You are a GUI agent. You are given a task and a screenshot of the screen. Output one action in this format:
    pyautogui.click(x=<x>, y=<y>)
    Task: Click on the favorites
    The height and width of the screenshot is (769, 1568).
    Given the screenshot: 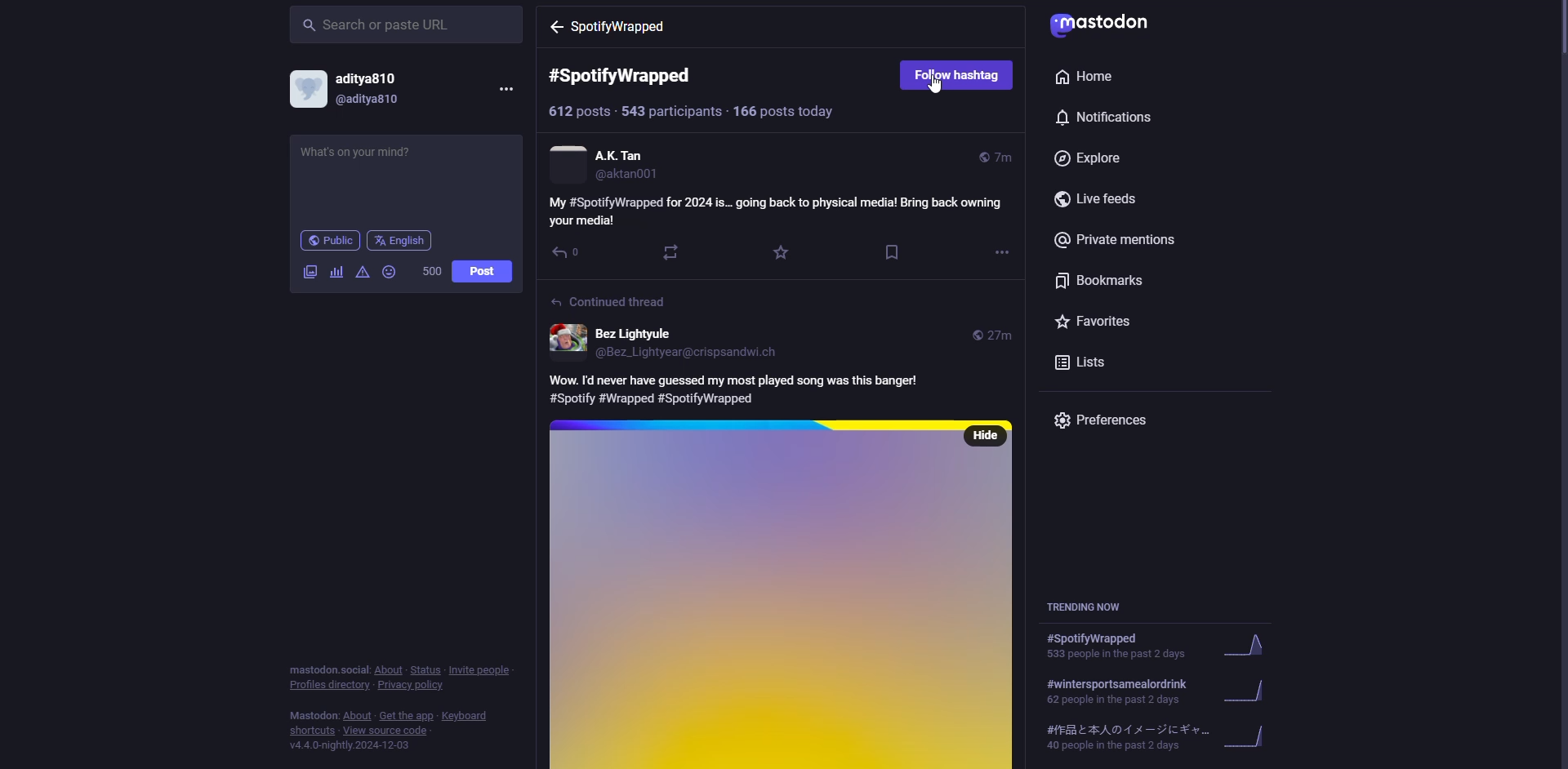 What is the action you would take?
    pyautogui.click(x=1100, y=321)
    